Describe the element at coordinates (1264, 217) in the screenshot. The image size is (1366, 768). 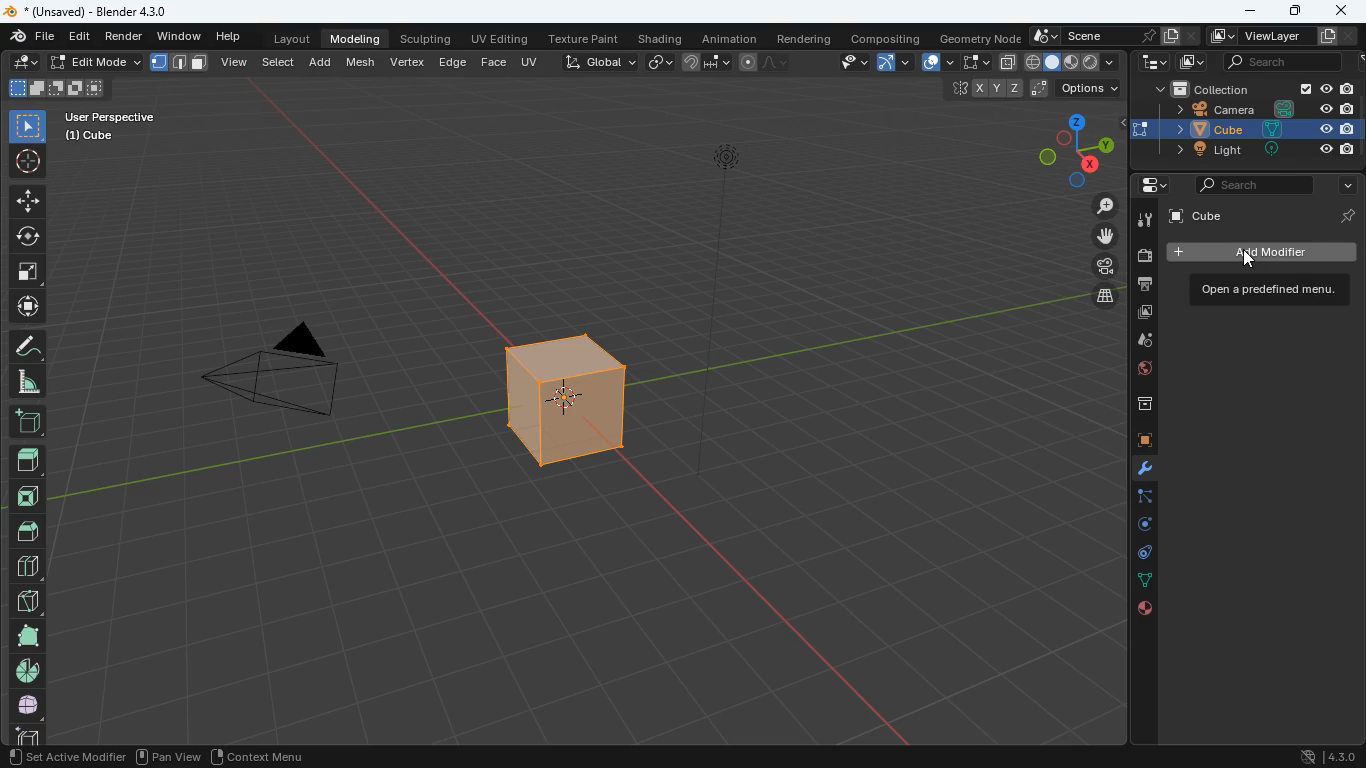
I see `cube` at that location.